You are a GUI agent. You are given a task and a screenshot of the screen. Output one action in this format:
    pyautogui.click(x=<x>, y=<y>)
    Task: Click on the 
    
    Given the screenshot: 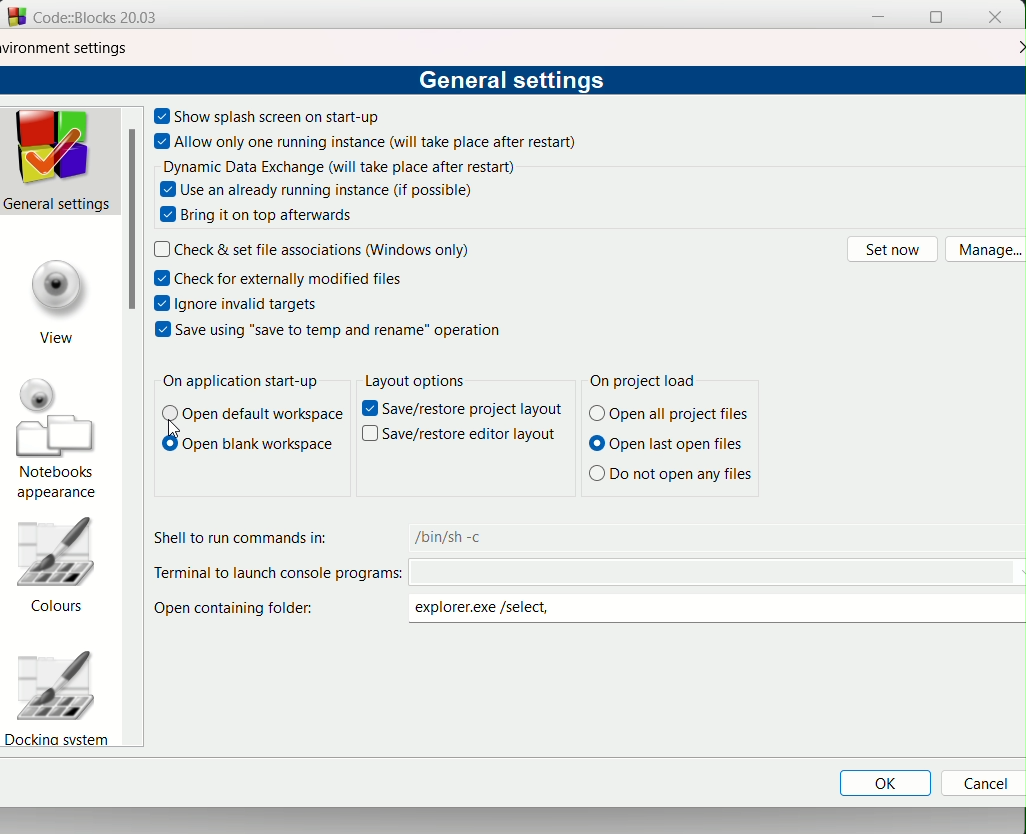 What is the action you would take?
    pyautogui.click(x=370, y=435)
    